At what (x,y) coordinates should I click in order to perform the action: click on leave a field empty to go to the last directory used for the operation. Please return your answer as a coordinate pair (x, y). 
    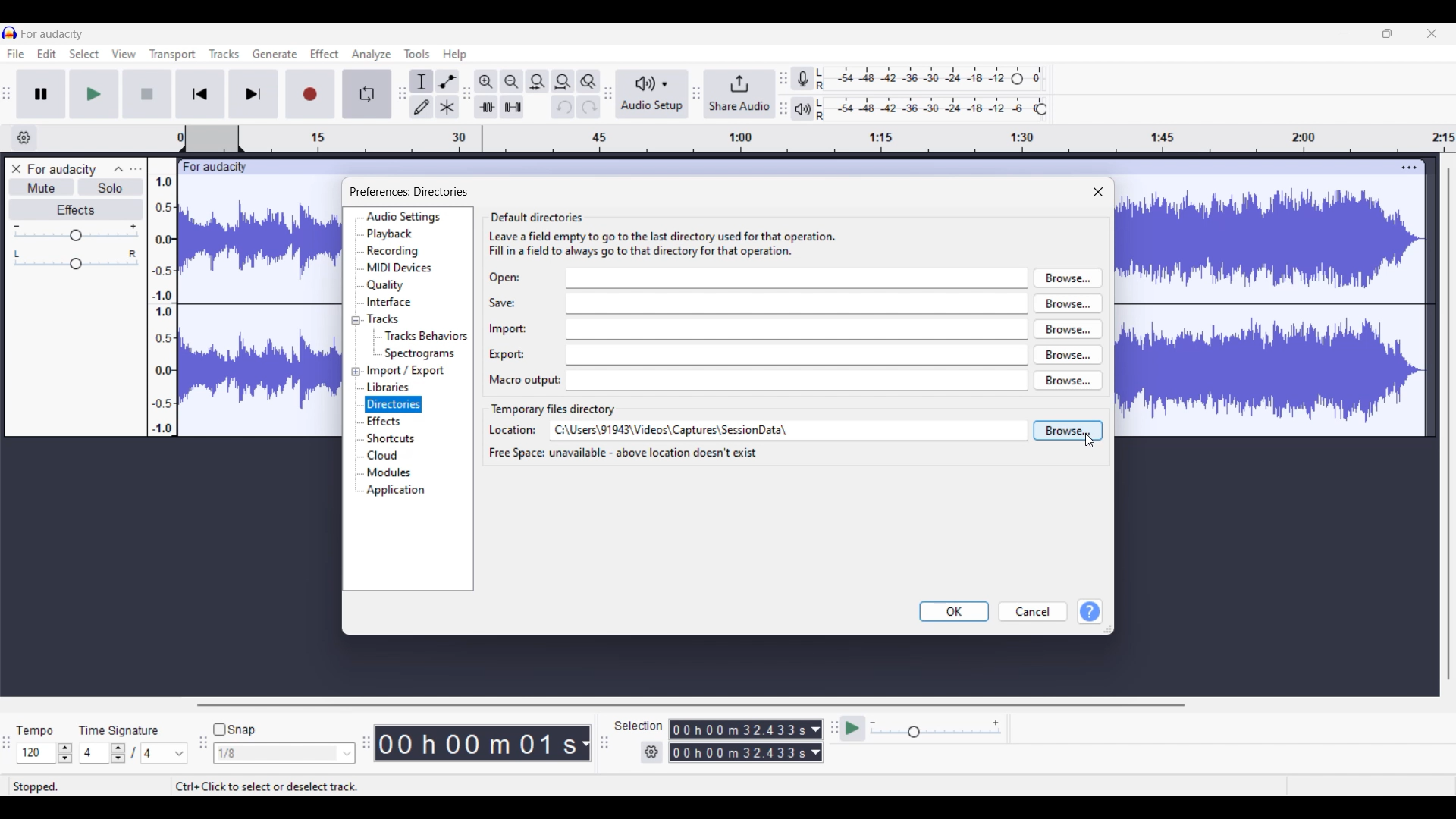
    Looking at the image, I should click on (667, 243).